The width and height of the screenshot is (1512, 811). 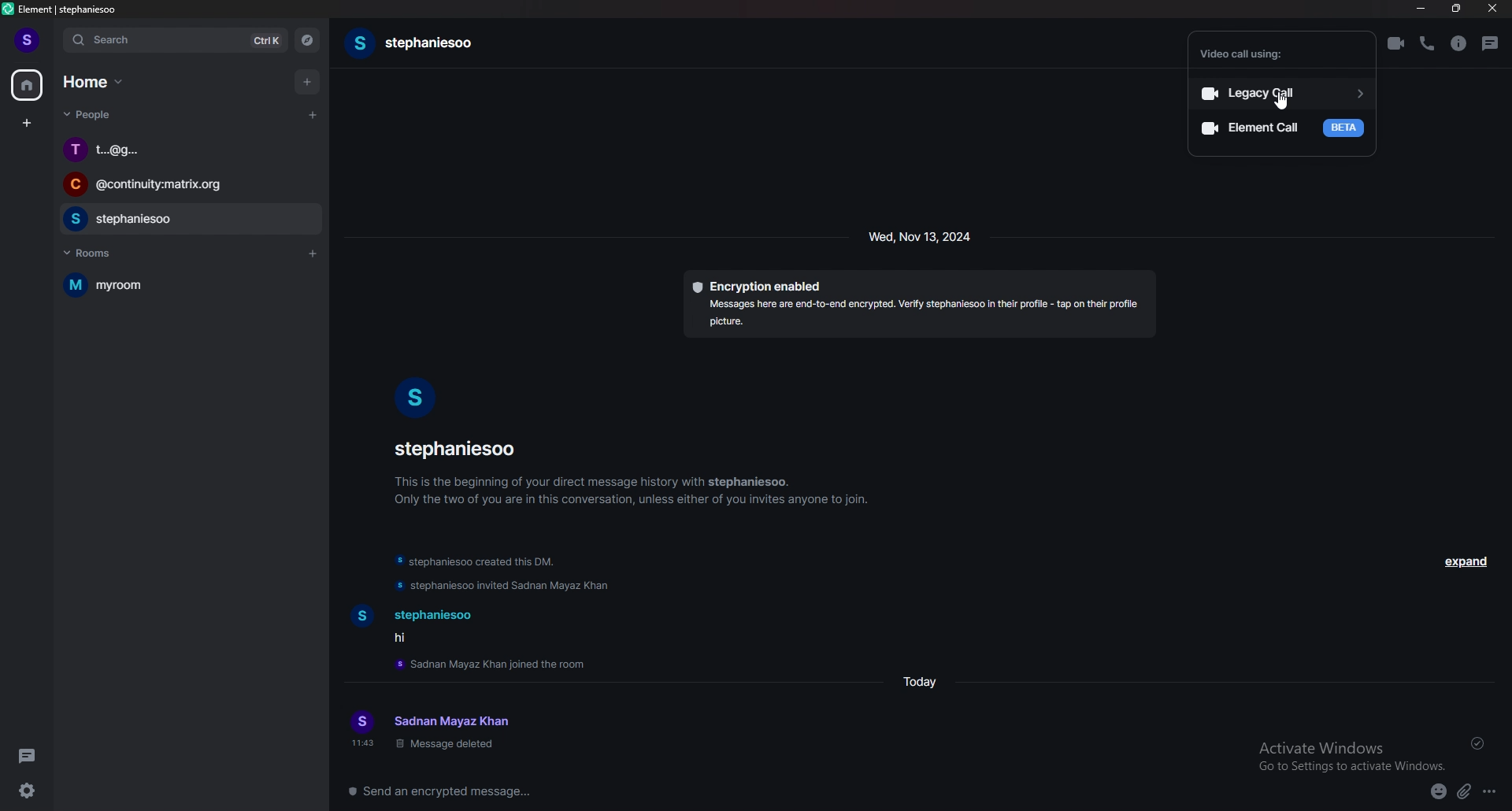 I want to click on video call using, so click(x=1257, y=54).